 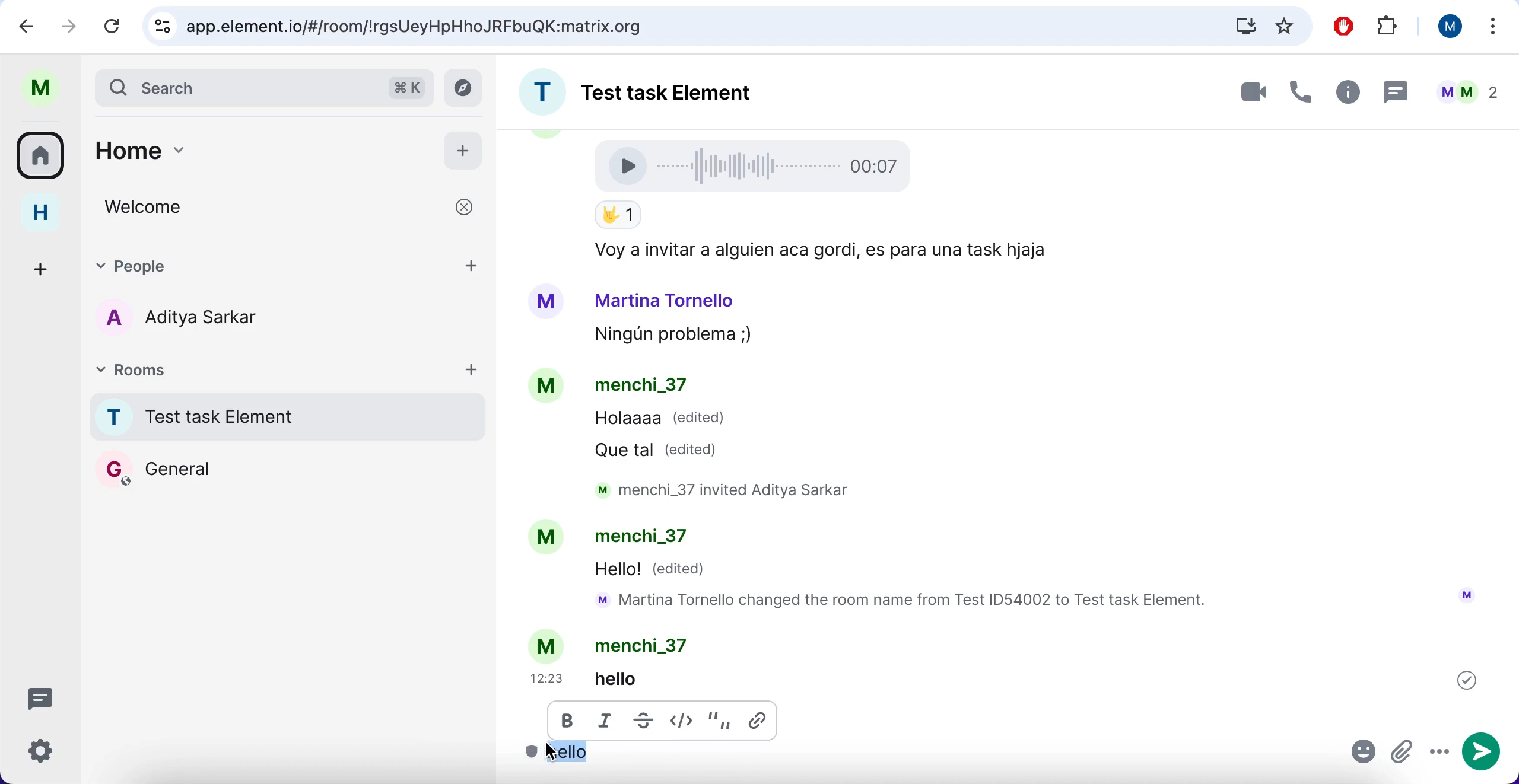 What do you see at coordinates (816, 251) in the screenshot?
I see `Voy a invitar a alguien aca gordi, es para una task hjaja` at bounding box center [816, 251].